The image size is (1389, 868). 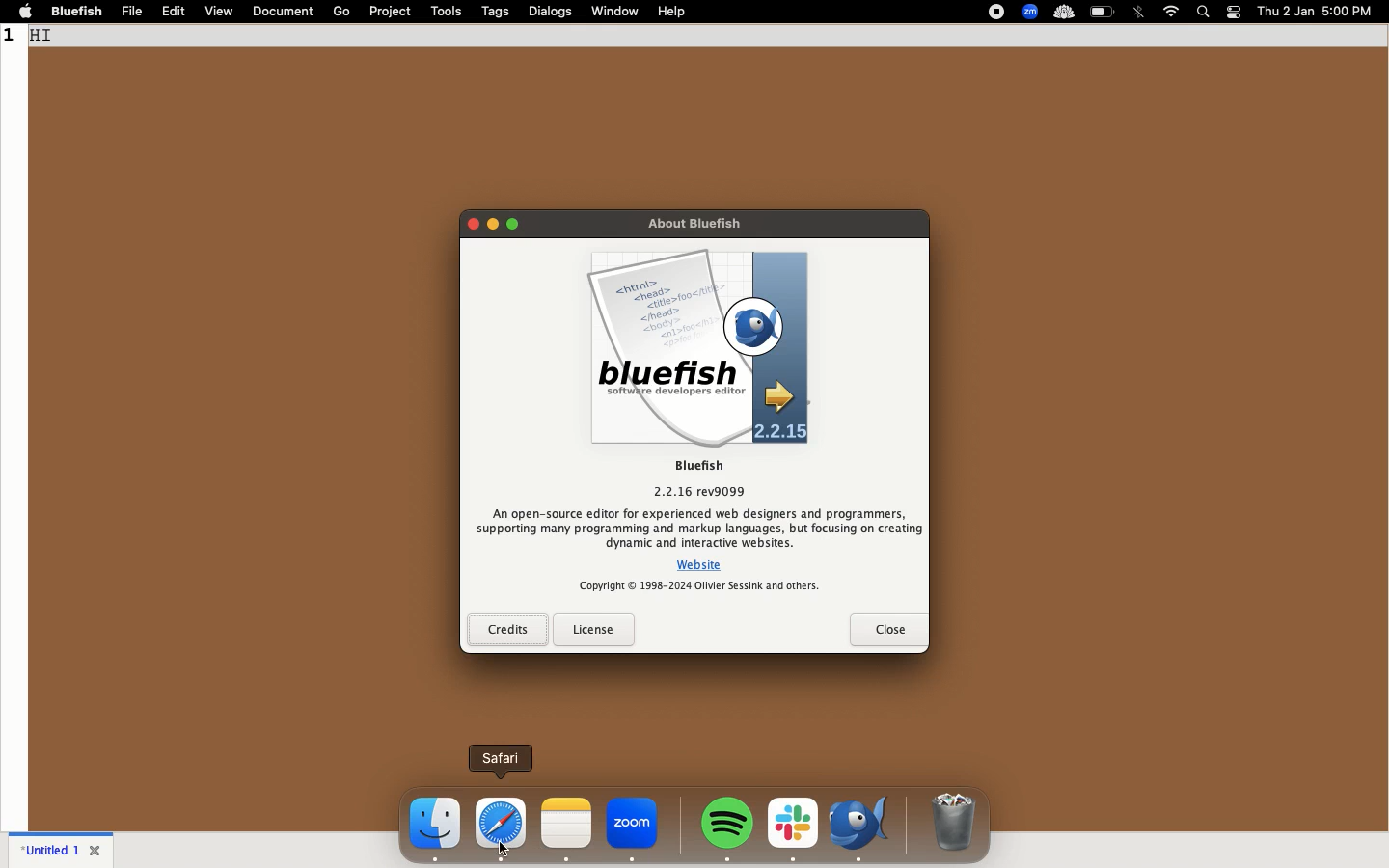 I want to click on notification, so click(x=1234, y=12).